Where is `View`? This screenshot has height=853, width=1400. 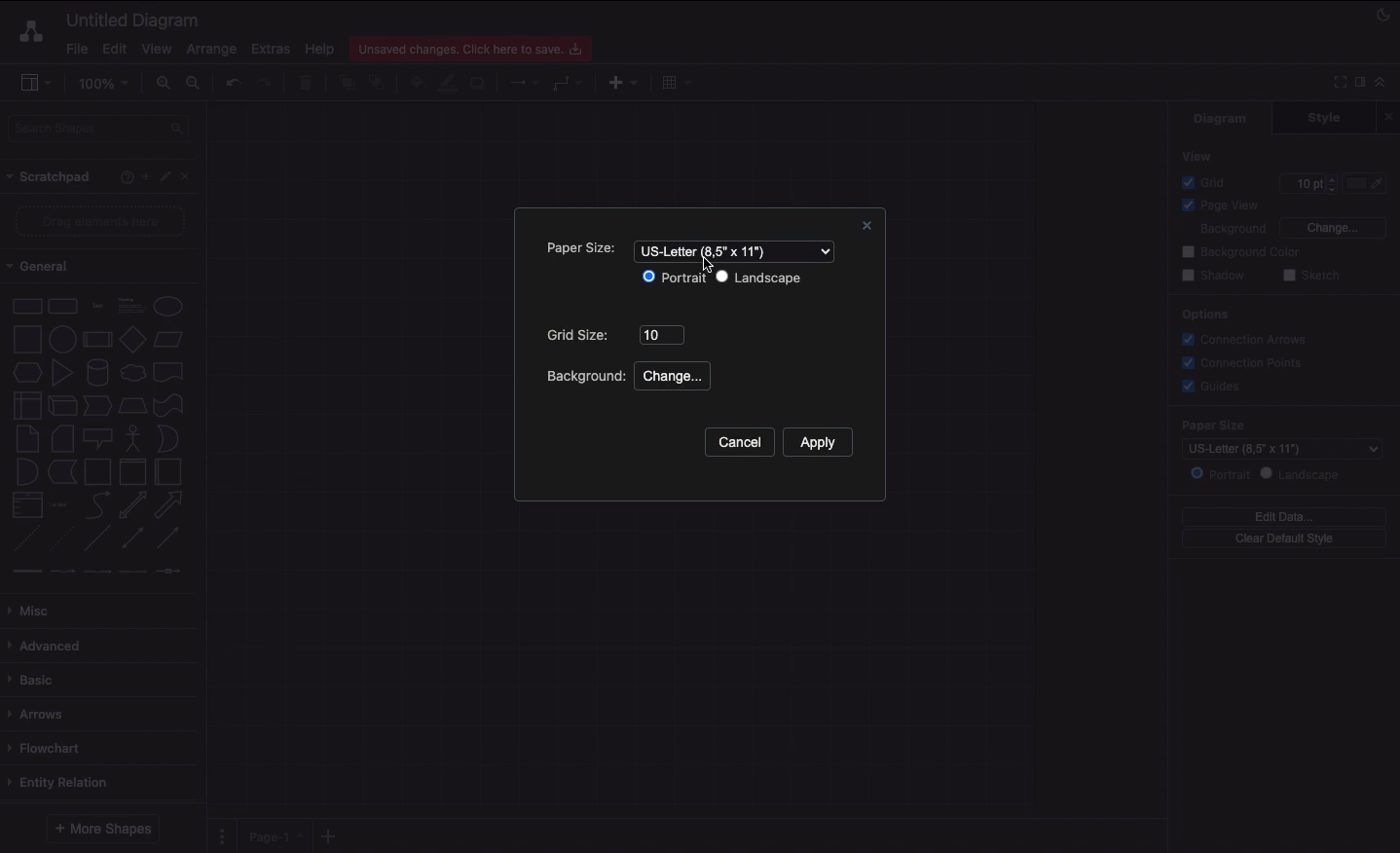
View is located at coordinates (1198, 155).